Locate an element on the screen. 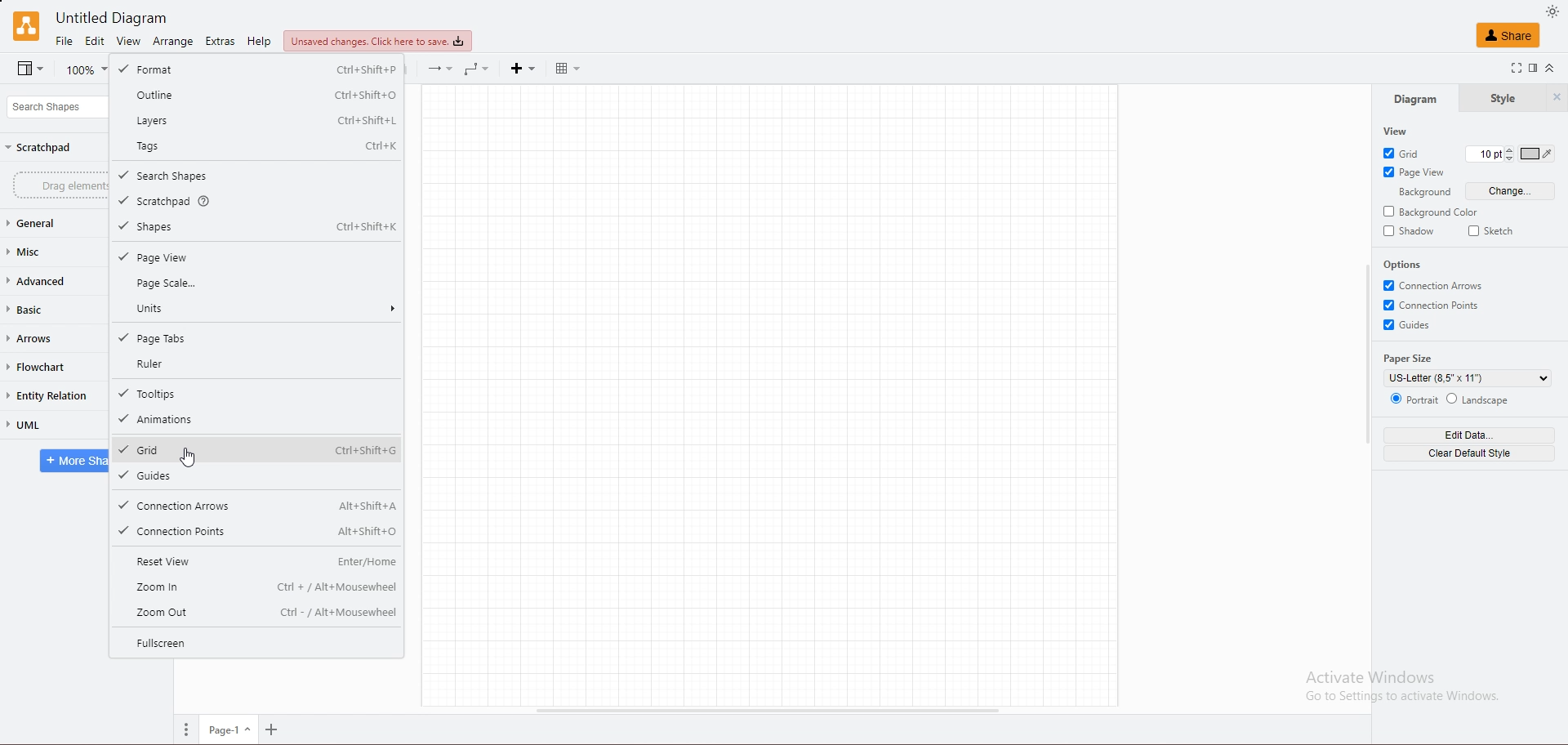 This screenshot has width=1568, height=745. scroll bar is located at coordinates (1365, 355).